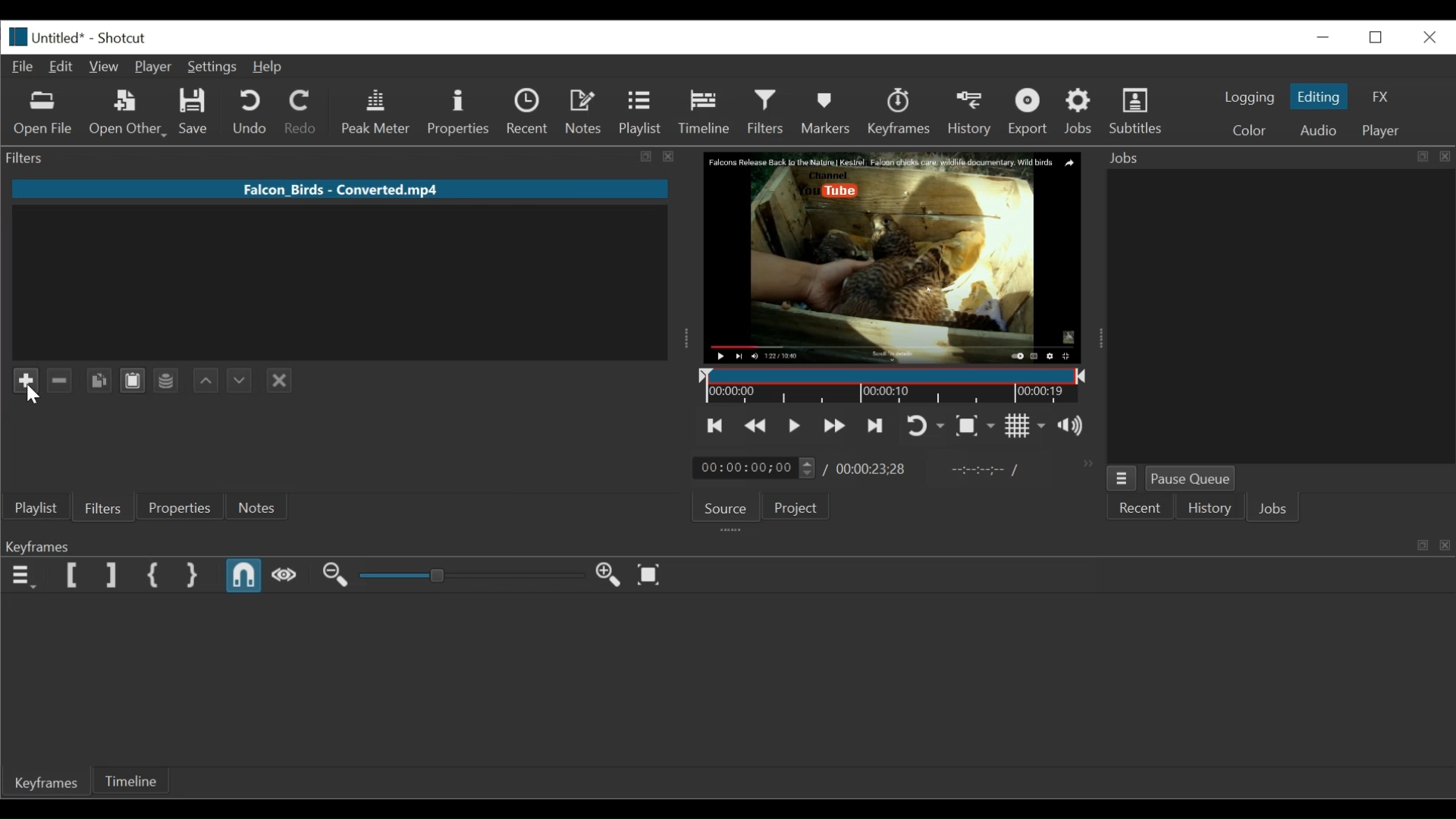  I want to click on Source, so click(726, 508).